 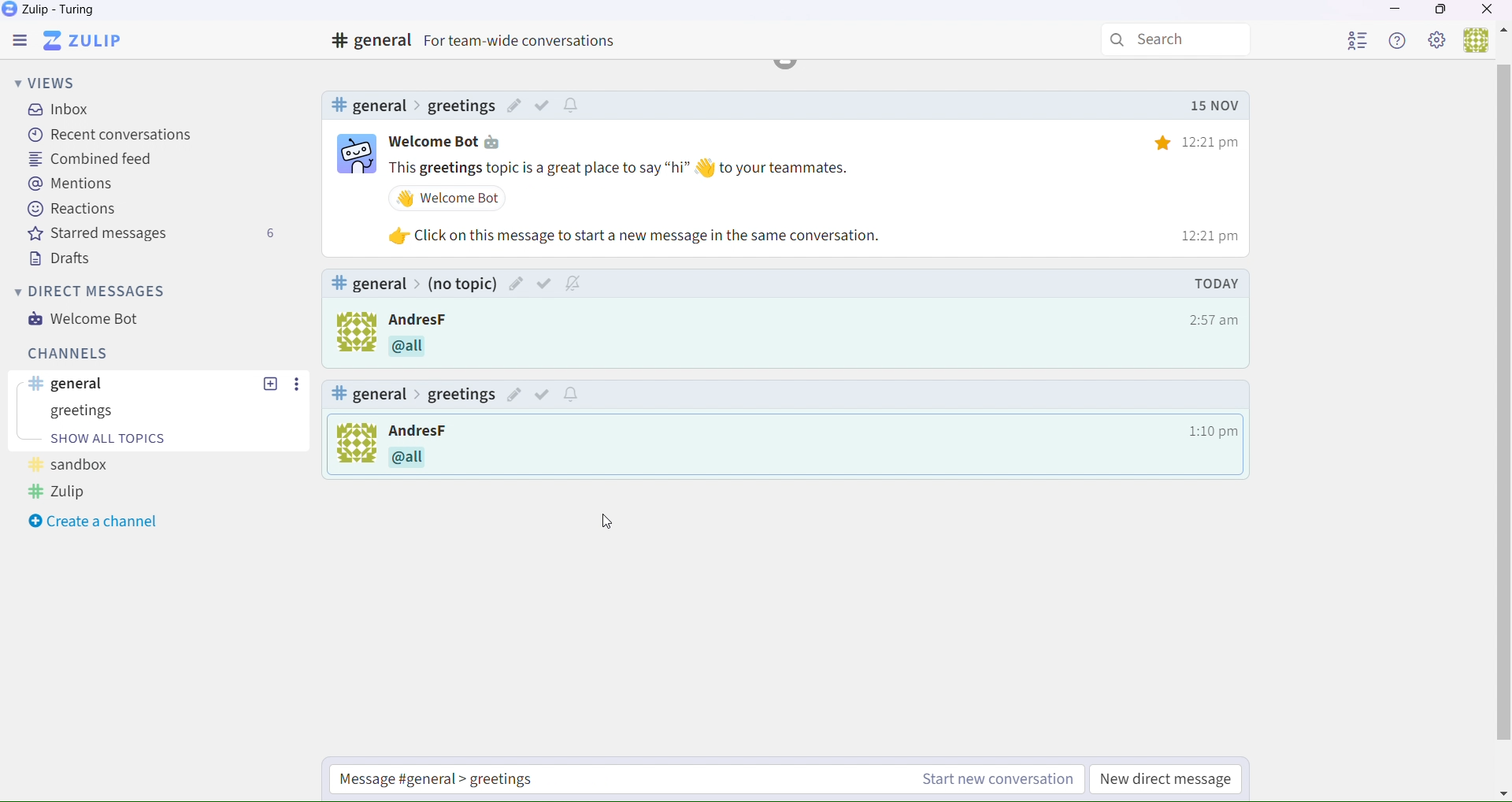 What do you see at coordinates (1202, 136) in the screenshot?
I see `12:21 pm` at bounding box center [1202, 136].